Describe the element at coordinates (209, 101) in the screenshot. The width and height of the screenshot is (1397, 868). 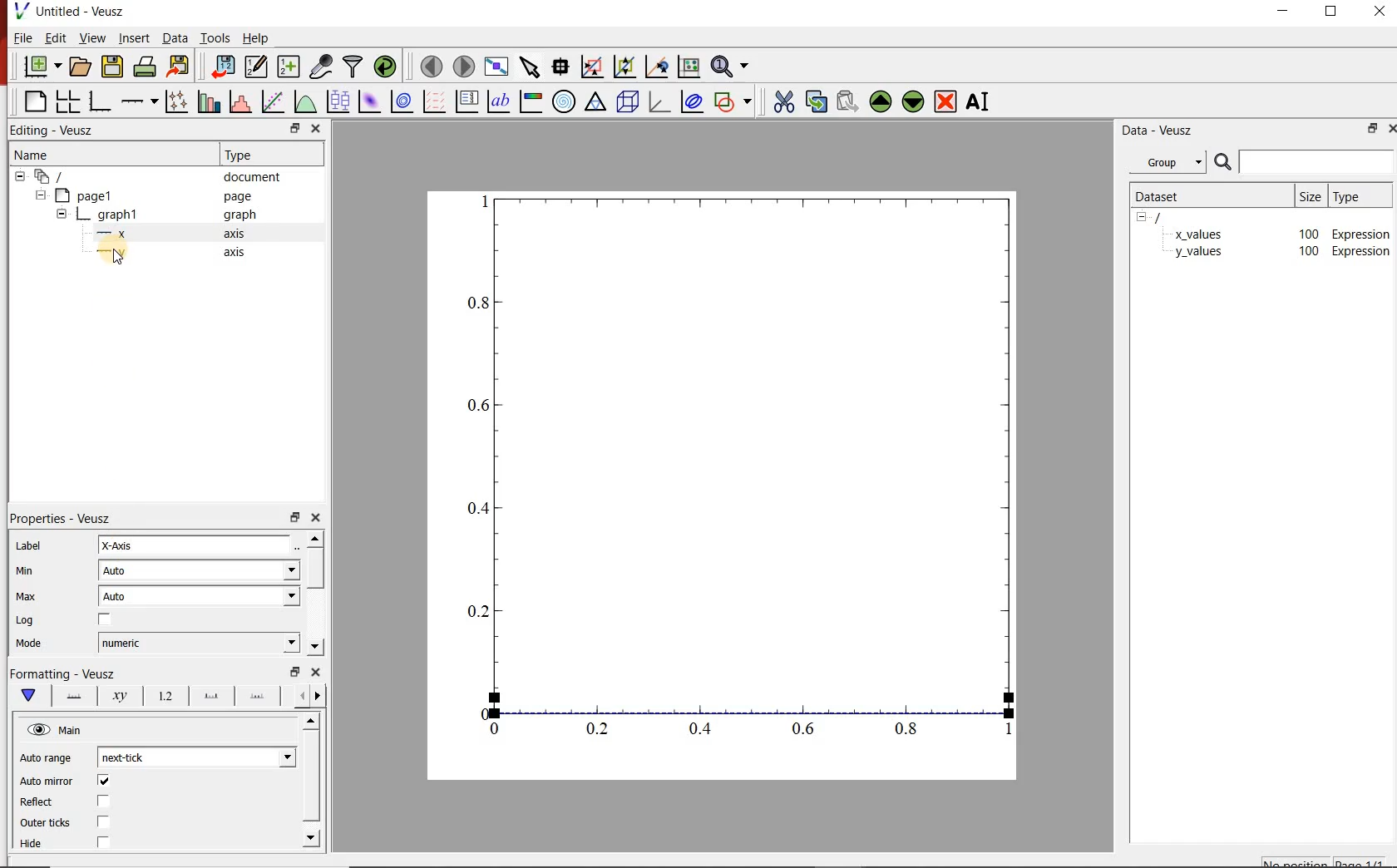
I see `plot bar charts` at that location.